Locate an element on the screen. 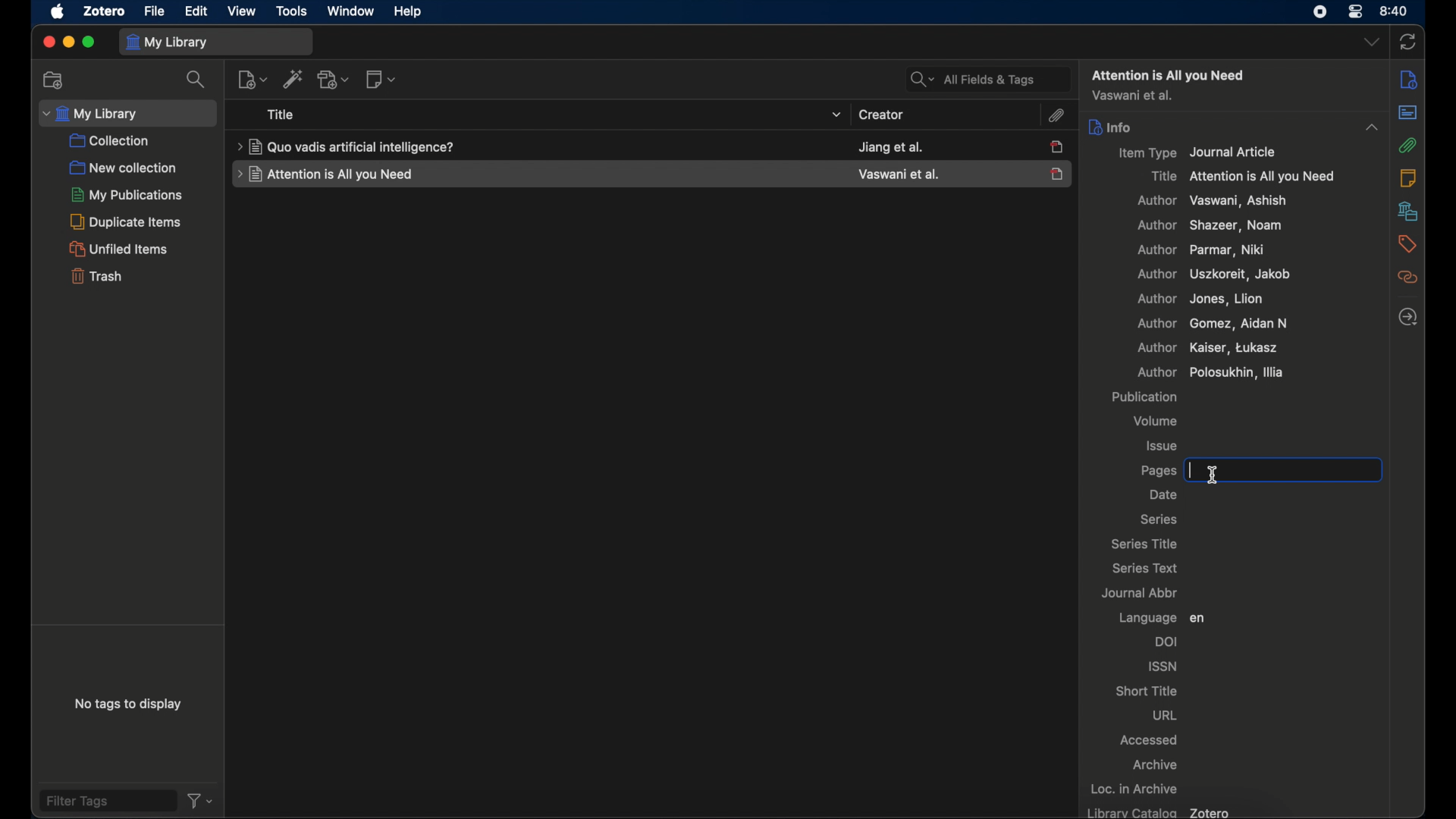 The image size is (1456, 819). new collections is located at coordinates (55, 80).